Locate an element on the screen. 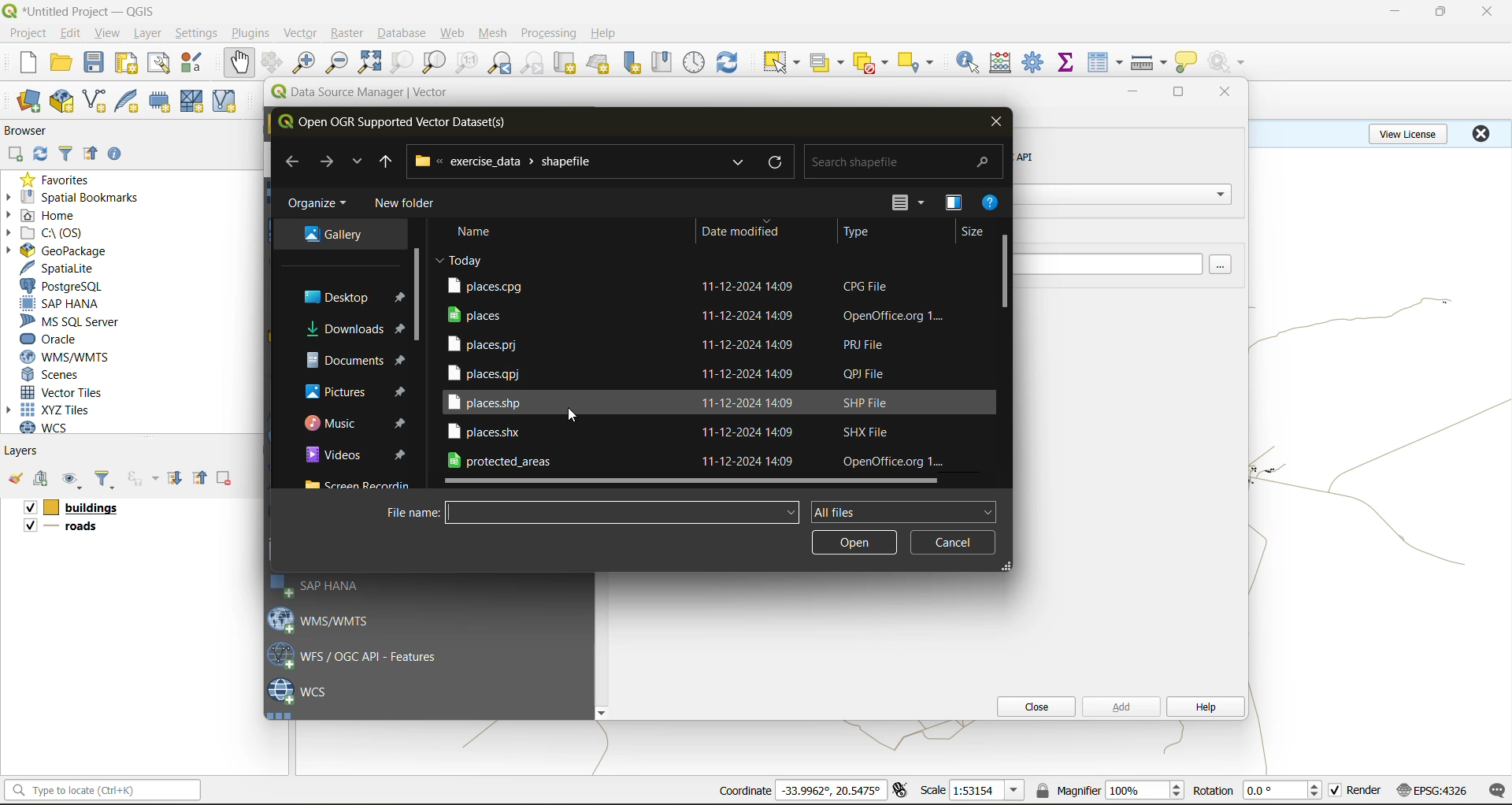 The height and width of the screenshot is (805, 1512). sap hana is located at coordinates (318, 586).